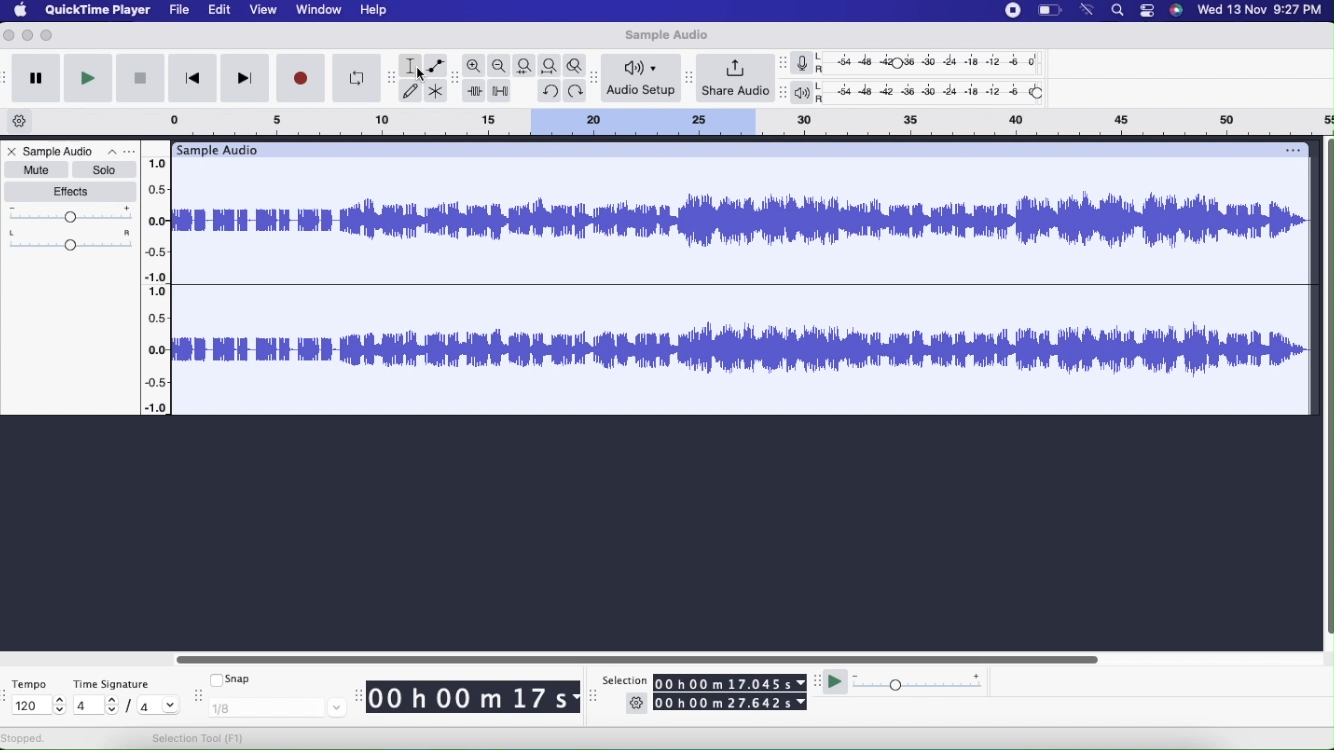  What do you see at coordinates (60, 151) in the screenshot?
I see `Sample Audio` at bounding box center [60, 151].